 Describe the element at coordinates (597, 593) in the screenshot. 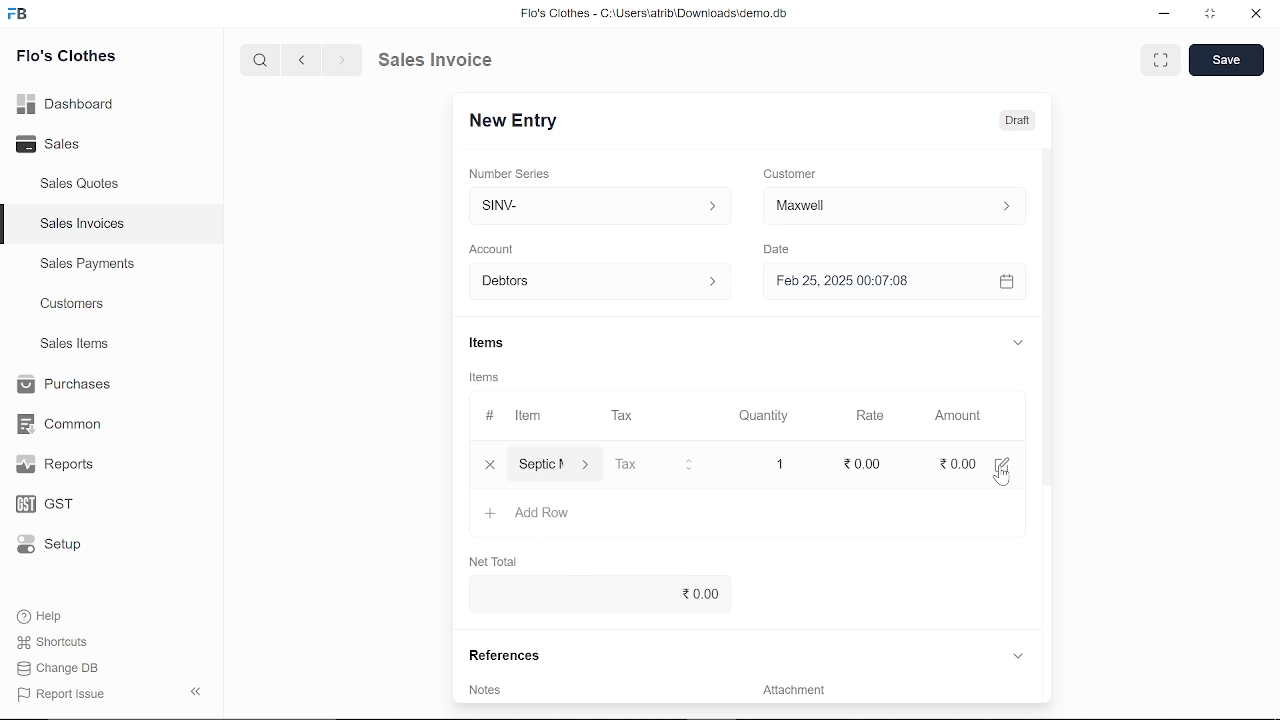

I see `0.00` at that location.